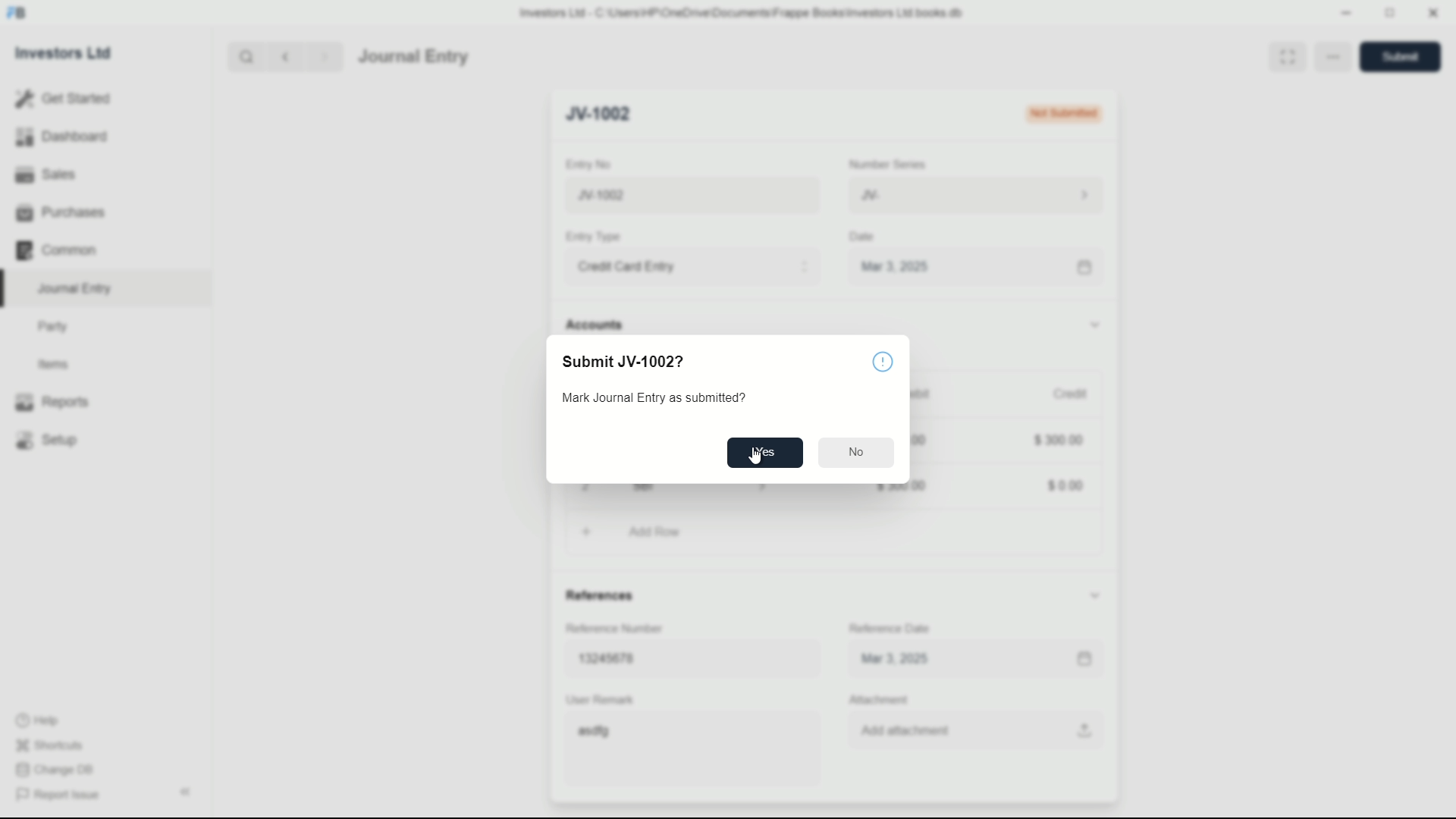 The height and width of the screenshot is (819, 1456). I want to click on Yes, so click(764, 454).